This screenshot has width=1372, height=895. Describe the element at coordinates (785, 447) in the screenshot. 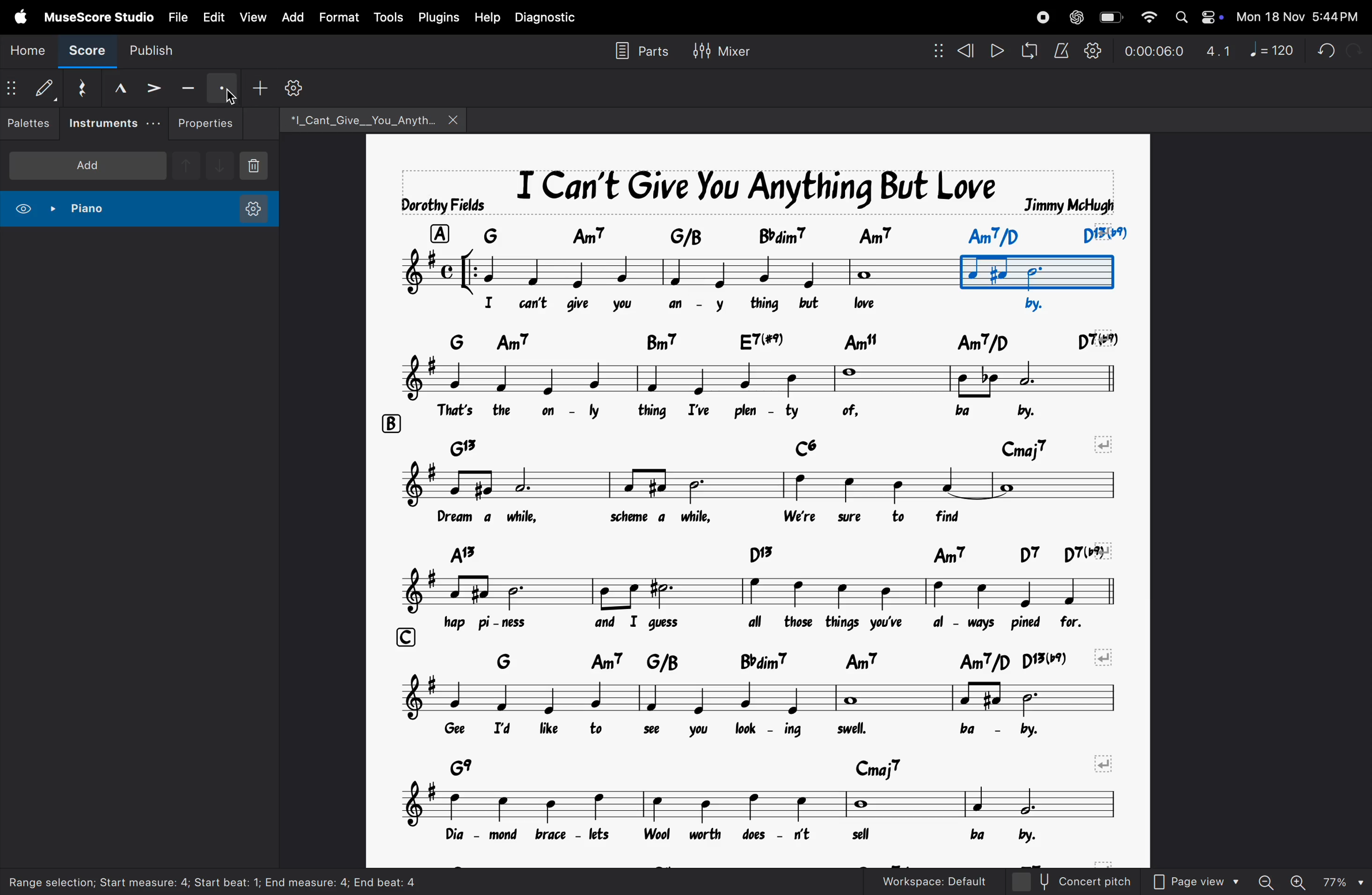

I see `chord notes` at that location.